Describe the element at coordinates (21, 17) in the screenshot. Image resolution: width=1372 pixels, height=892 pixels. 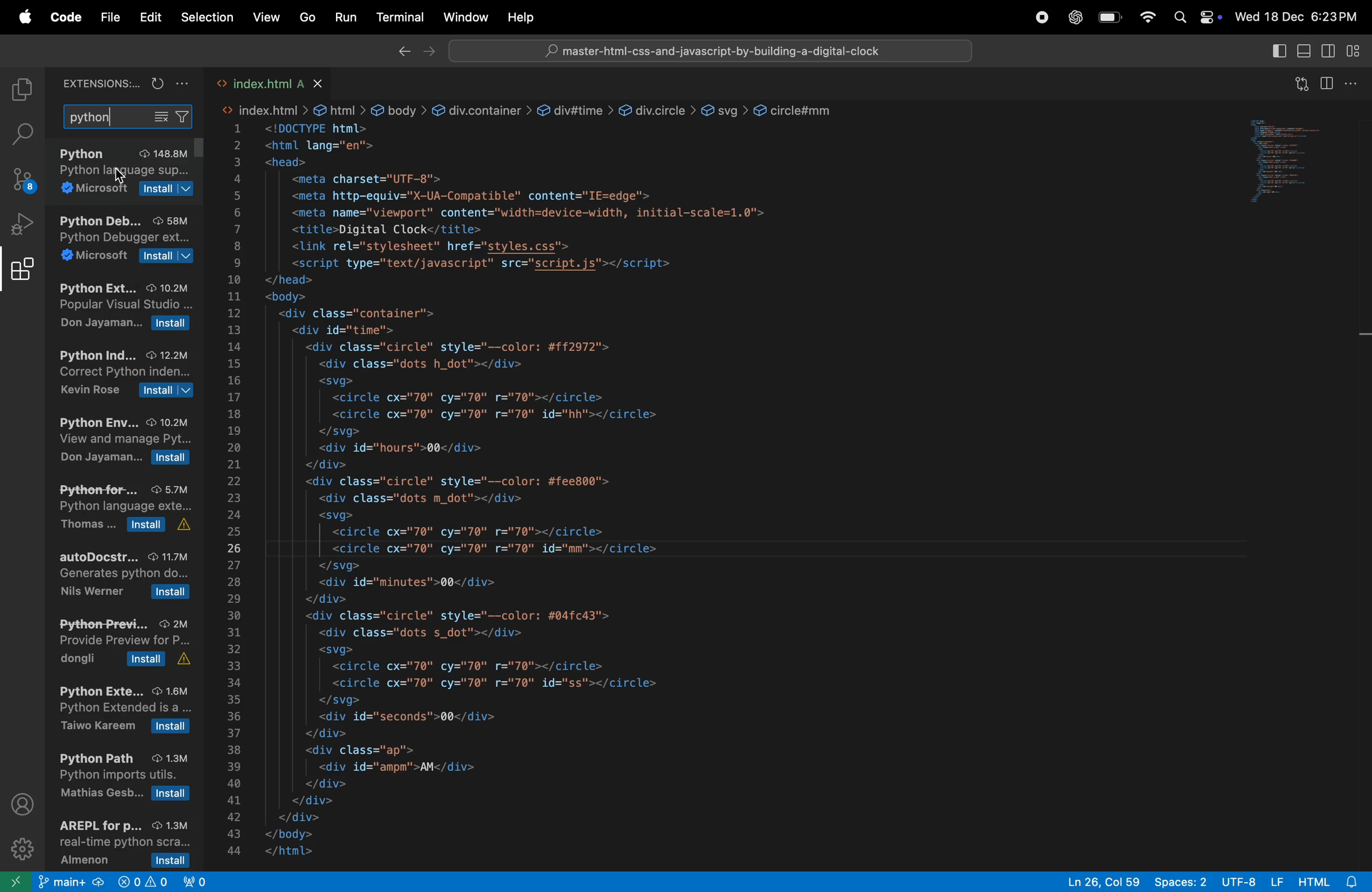
I see `apple menu` at that location.